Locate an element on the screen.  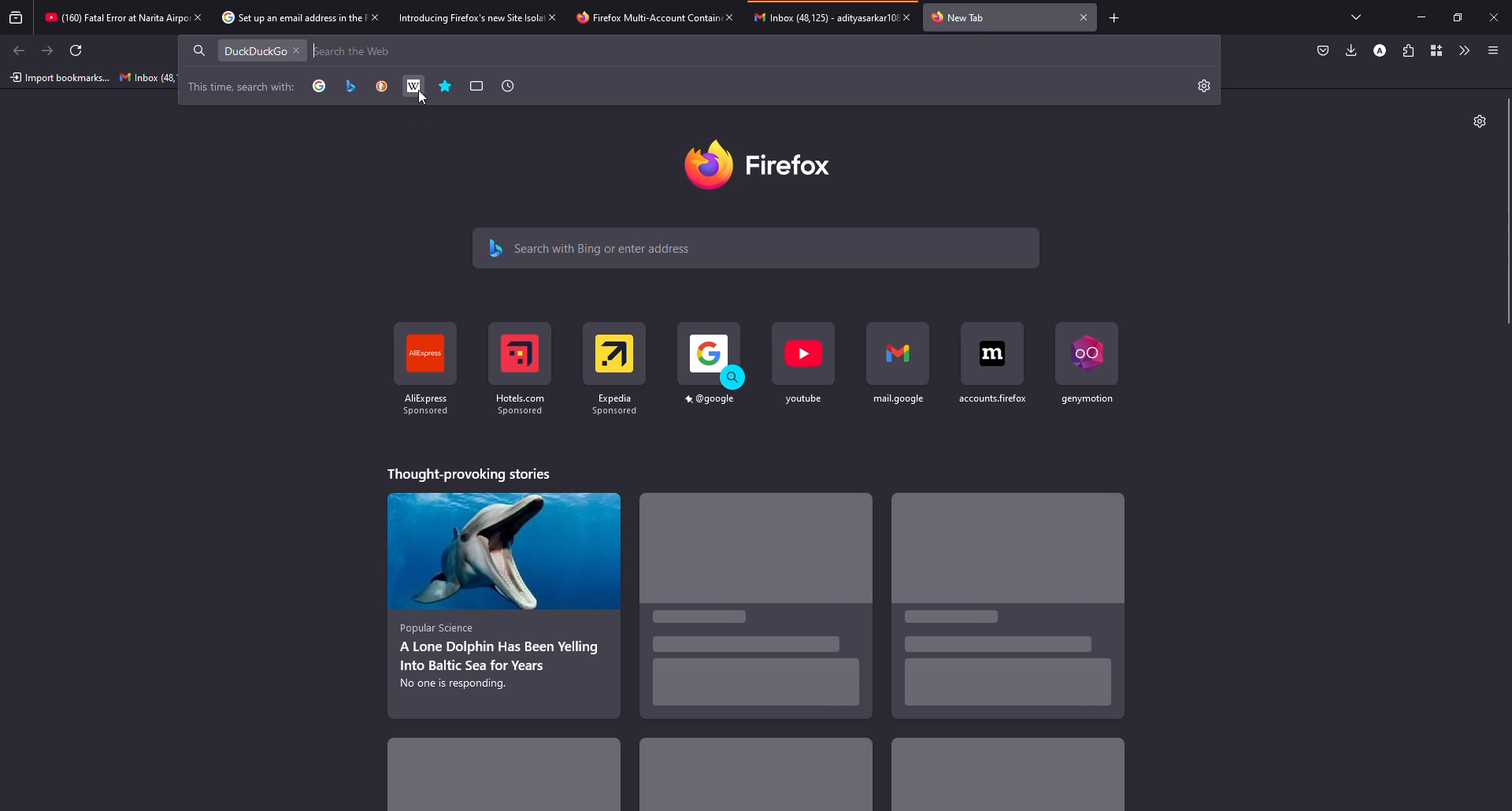
menu is located at coordinates (1493, 50).